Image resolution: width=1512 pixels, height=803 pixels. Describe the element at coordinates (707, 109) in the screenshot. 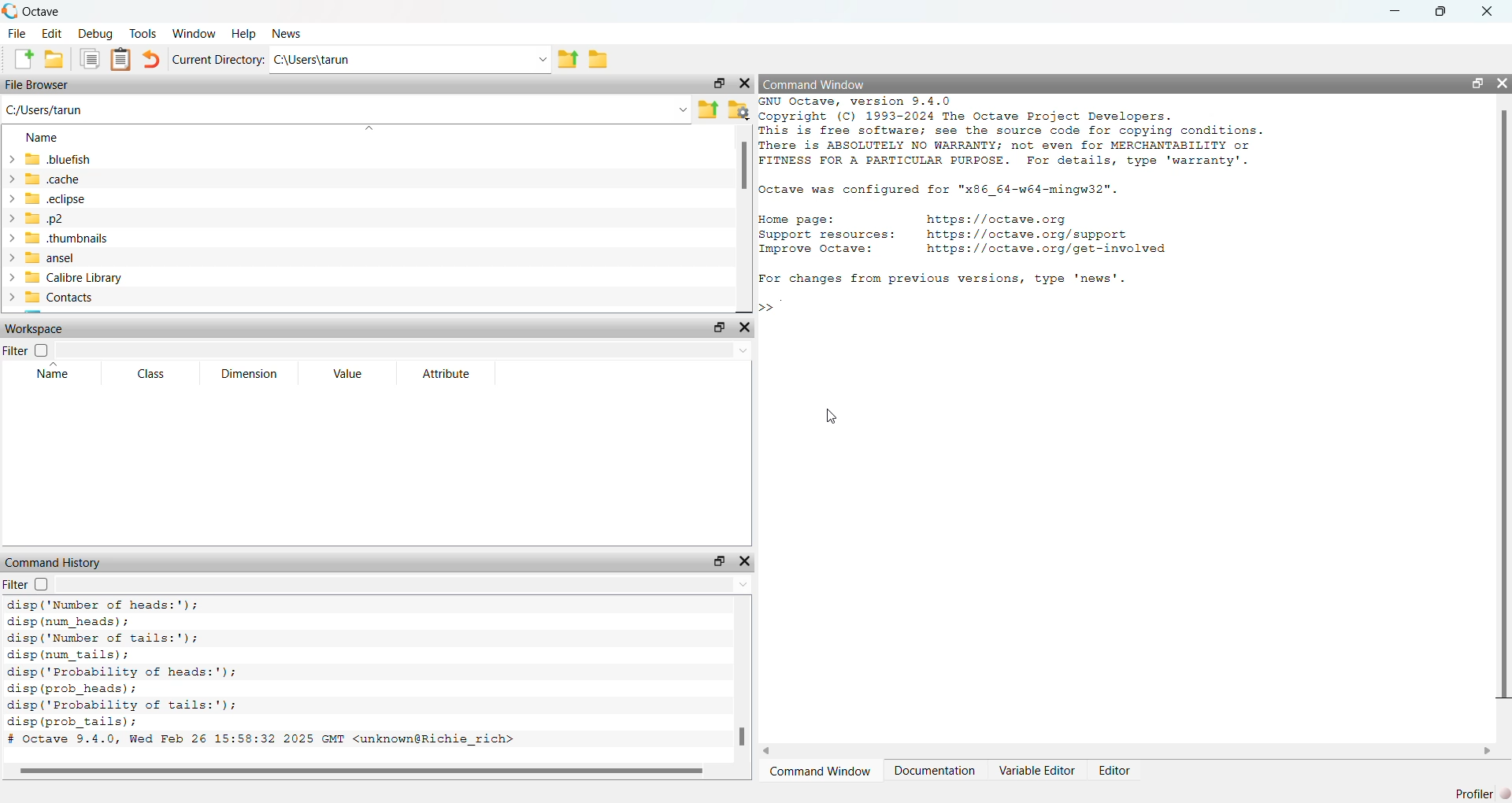

I see `One directory up` at that location.